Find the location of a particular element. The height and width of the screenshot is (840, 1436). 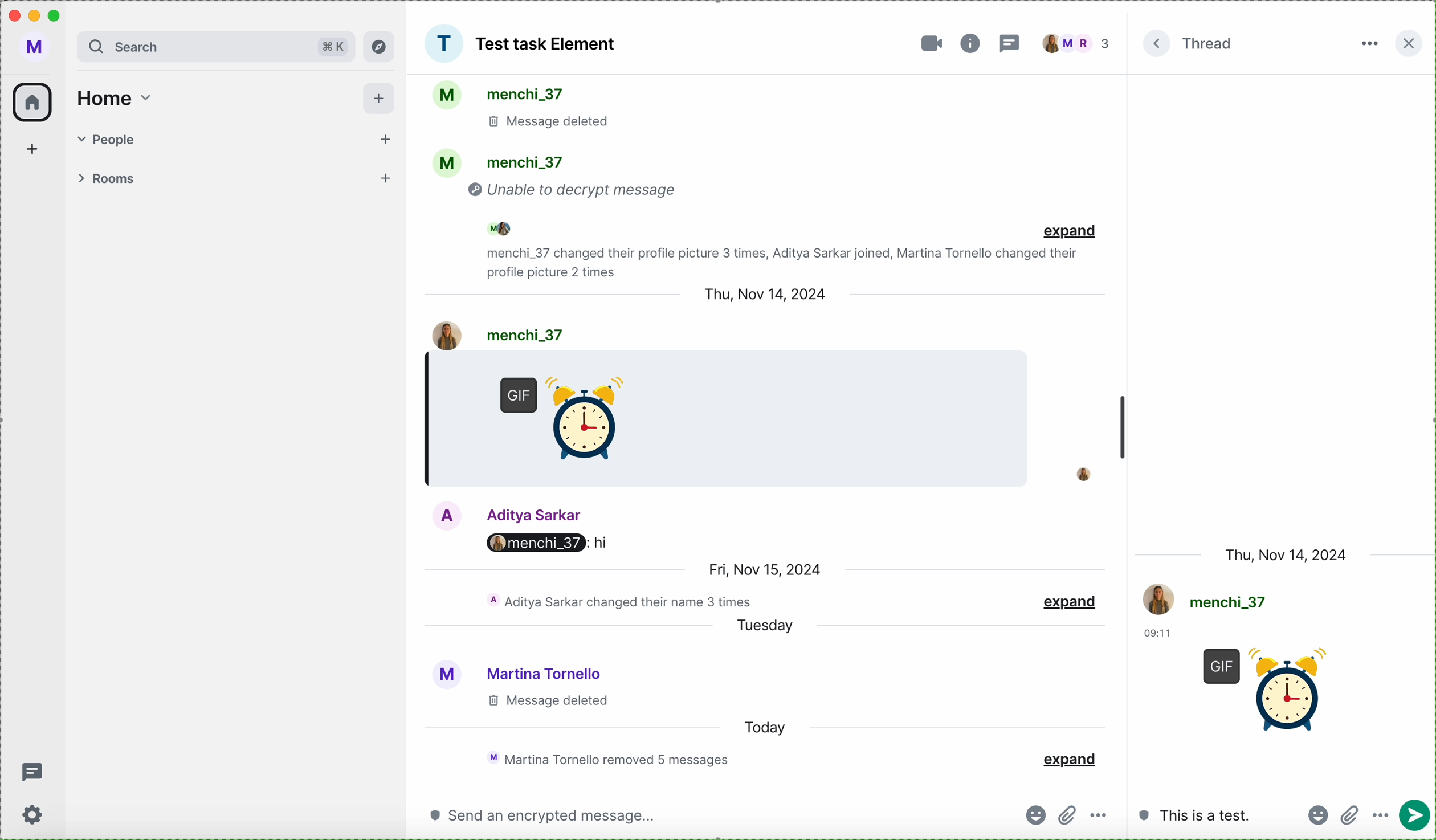

emojis is located at coordinates (1033, 815).